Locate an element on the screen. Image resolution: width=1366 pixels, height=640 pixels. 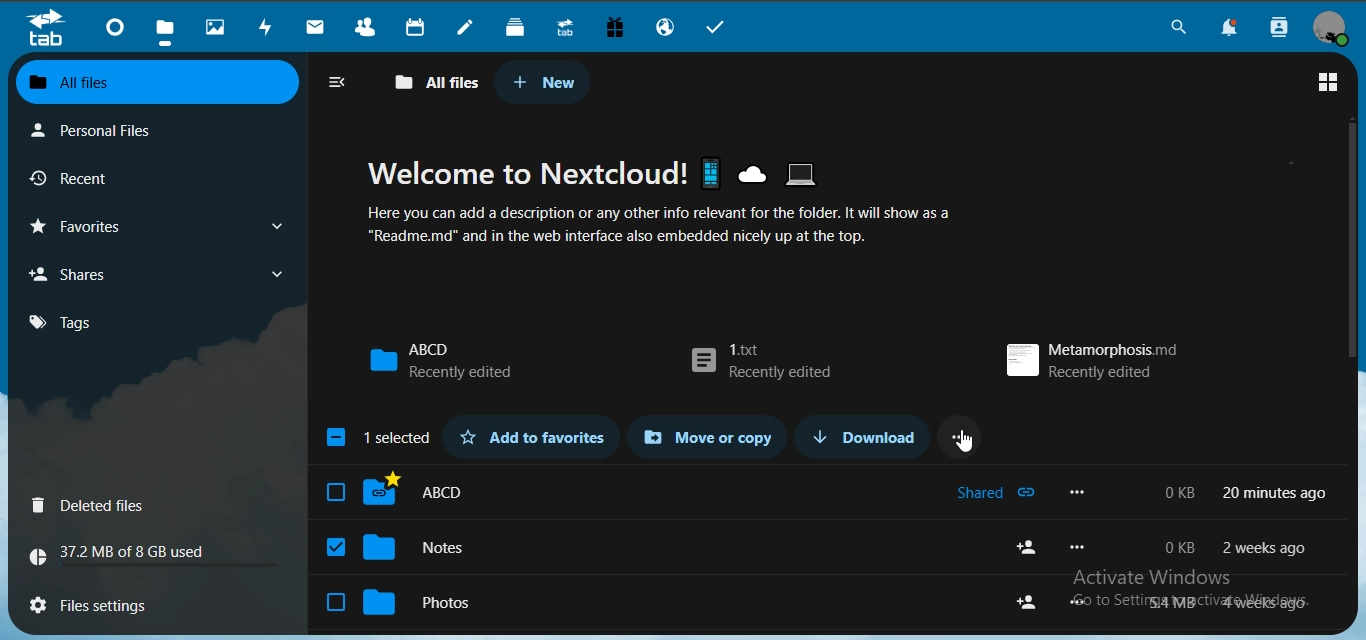
free trial is located at coordinates (615, 26).